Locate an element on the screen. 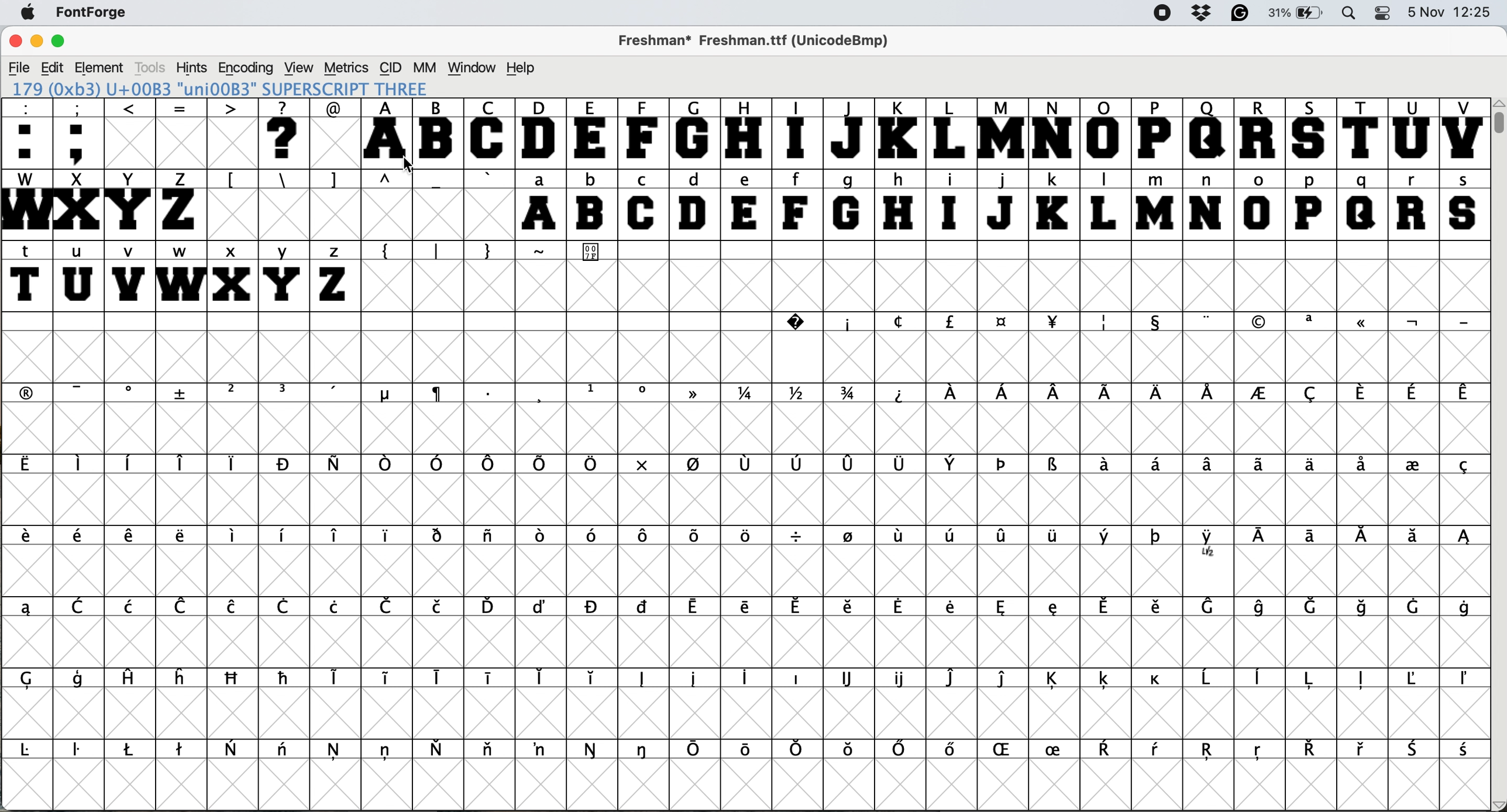 The width and height of the screenshot is (1507, 812). edit is located at coordinates (52, 67).